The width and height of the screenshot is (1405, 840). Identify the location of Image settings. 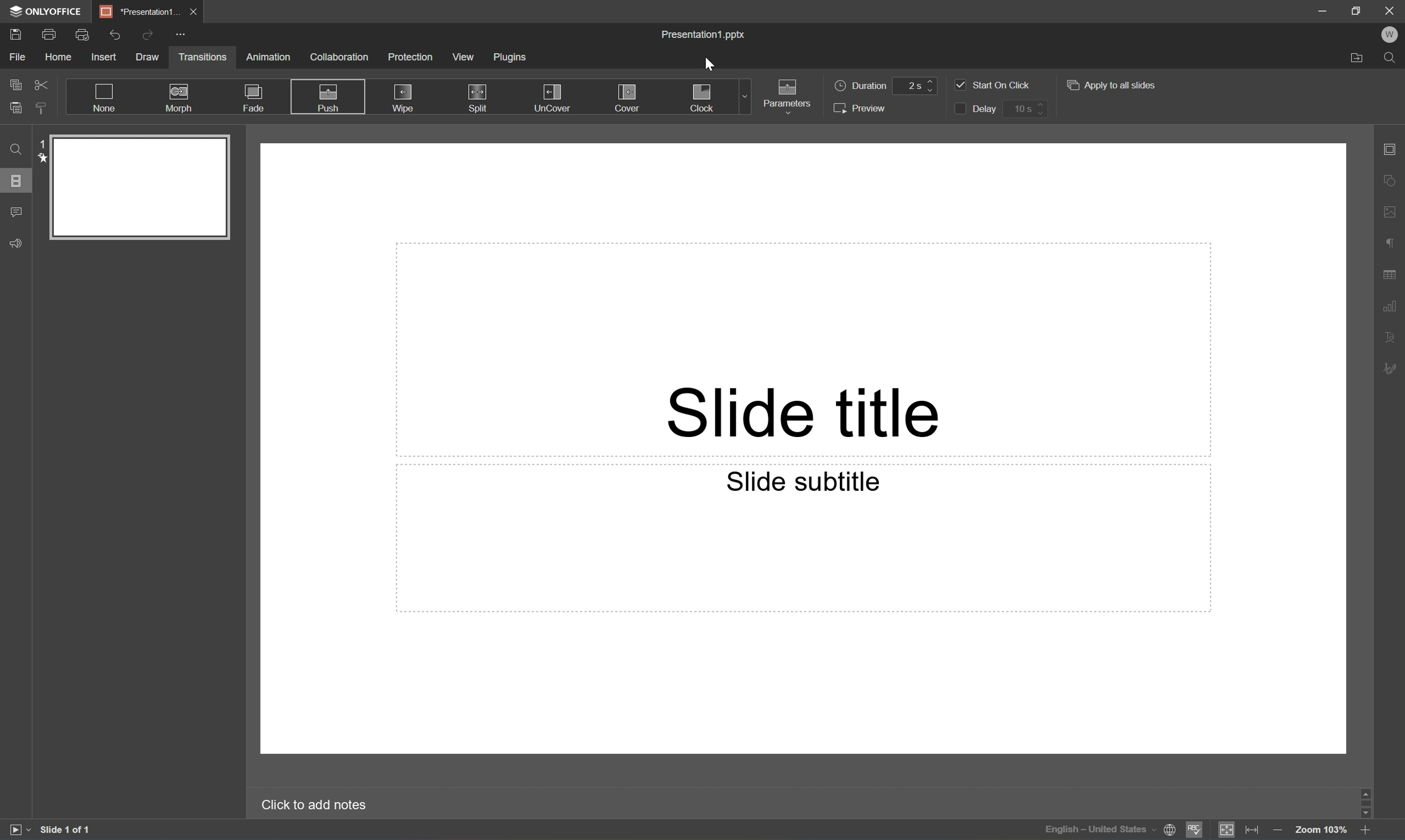
(1391, 214).